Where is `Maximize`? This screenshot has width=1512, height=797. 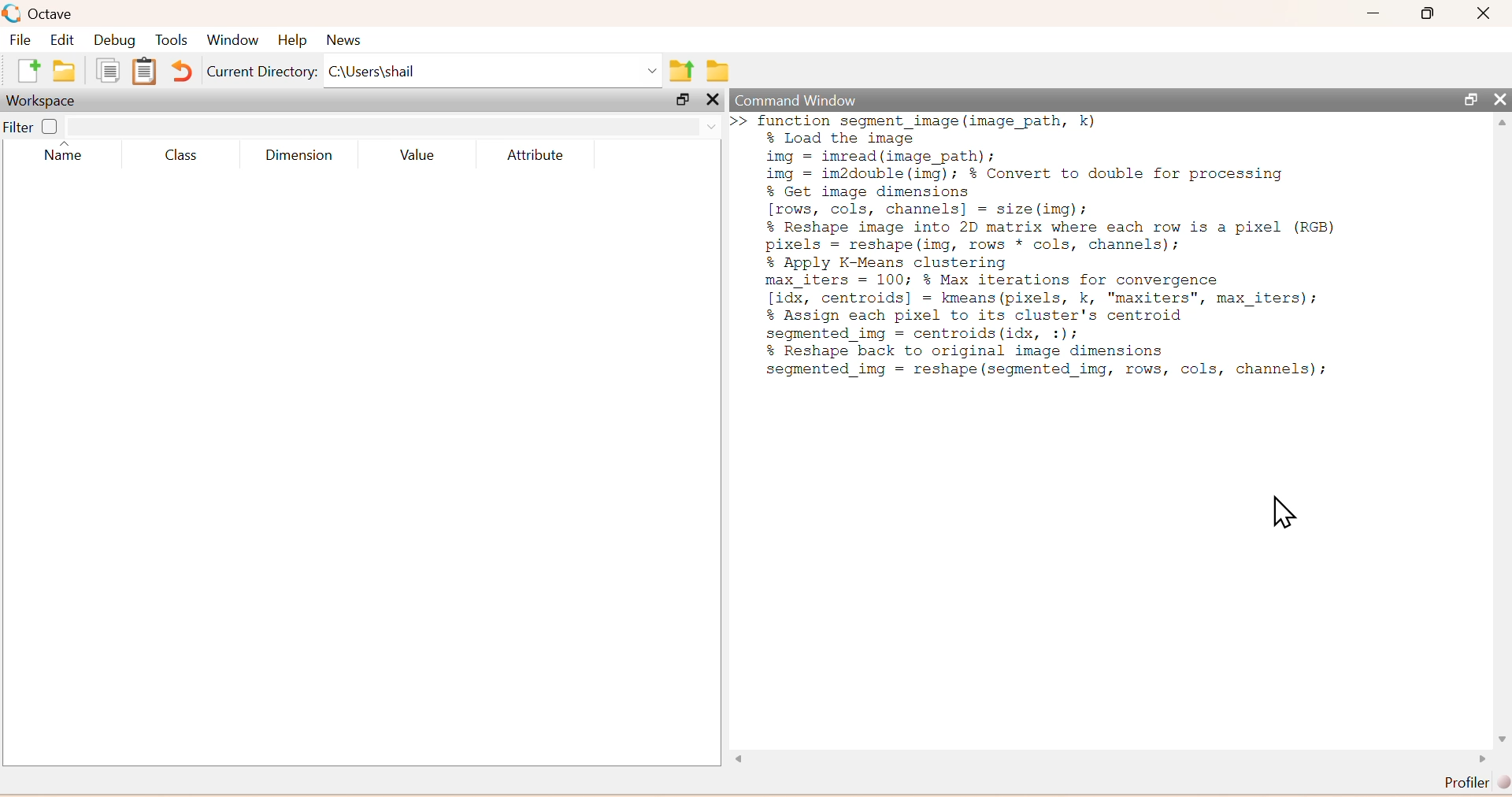
Maximize is located at coordinates (680, 100).